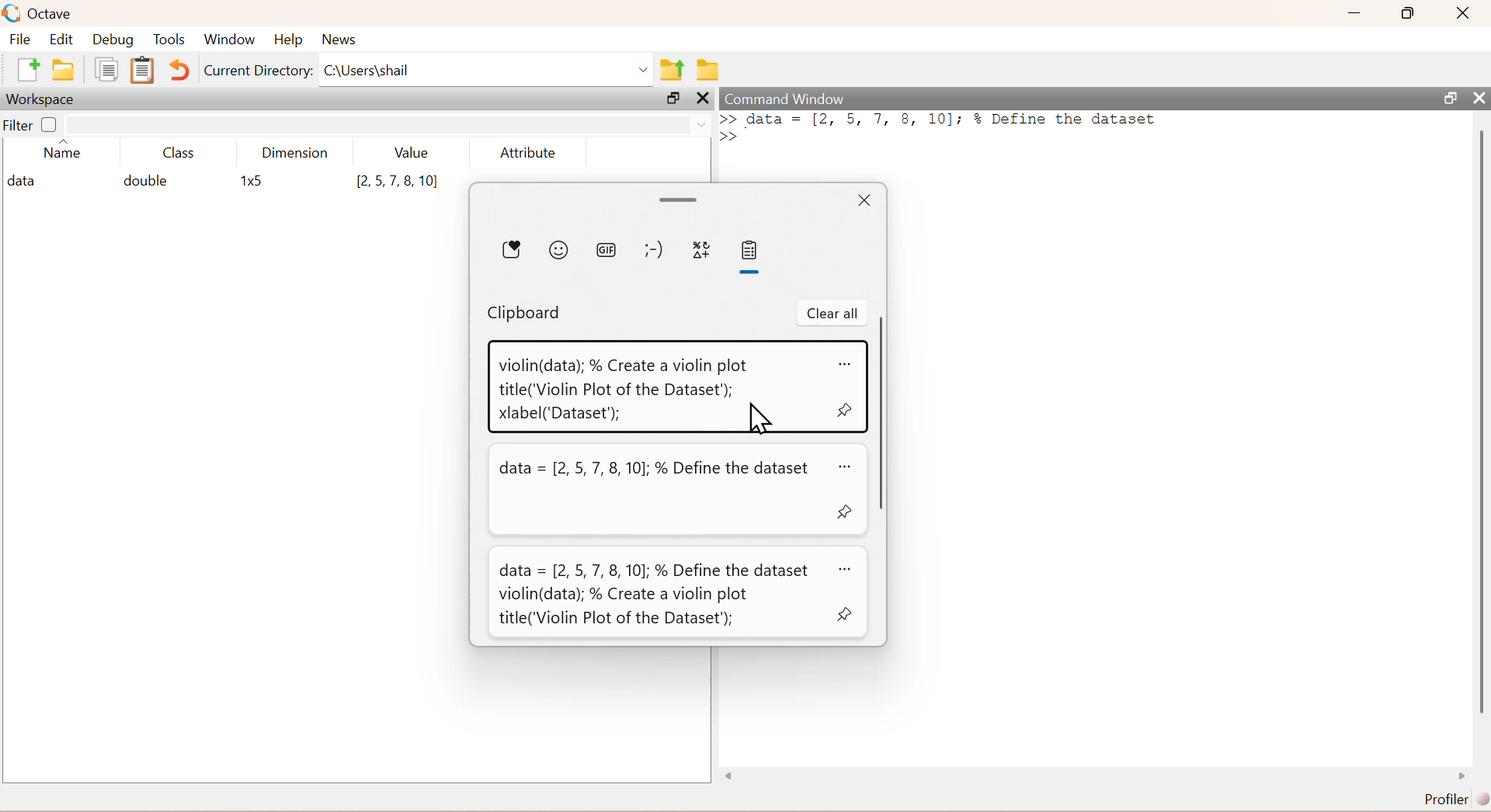  Describe the element at coordinates (865, 201) in the screenshot. I see `close` at that location.